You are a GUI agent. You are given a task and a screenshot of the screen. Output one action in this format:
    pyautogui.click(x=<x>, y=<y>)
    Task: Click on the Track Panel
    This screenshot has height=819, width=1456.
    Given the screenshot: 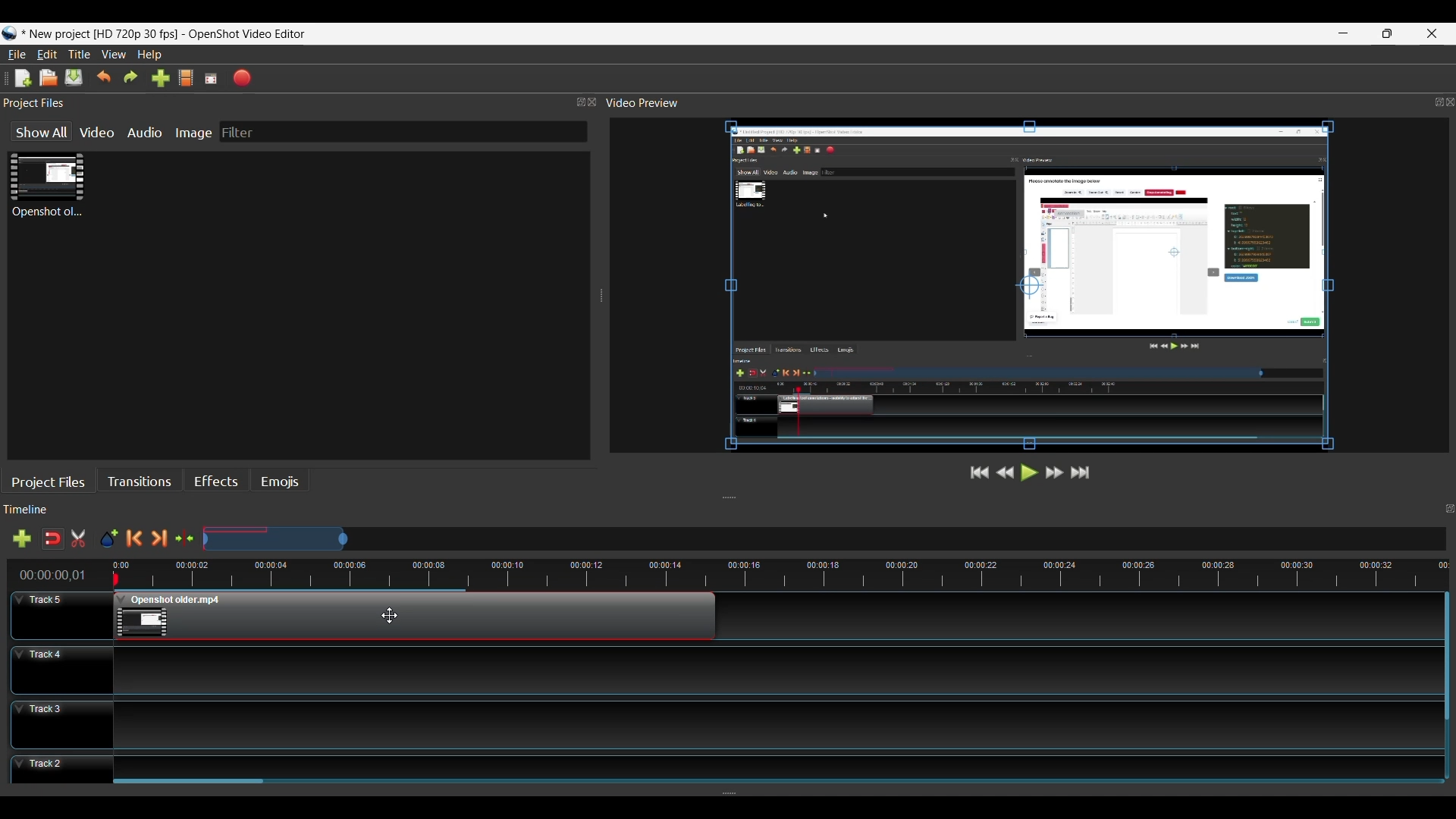 What is the action you would take?
    pyautogui.click(x=775, y=670)
    